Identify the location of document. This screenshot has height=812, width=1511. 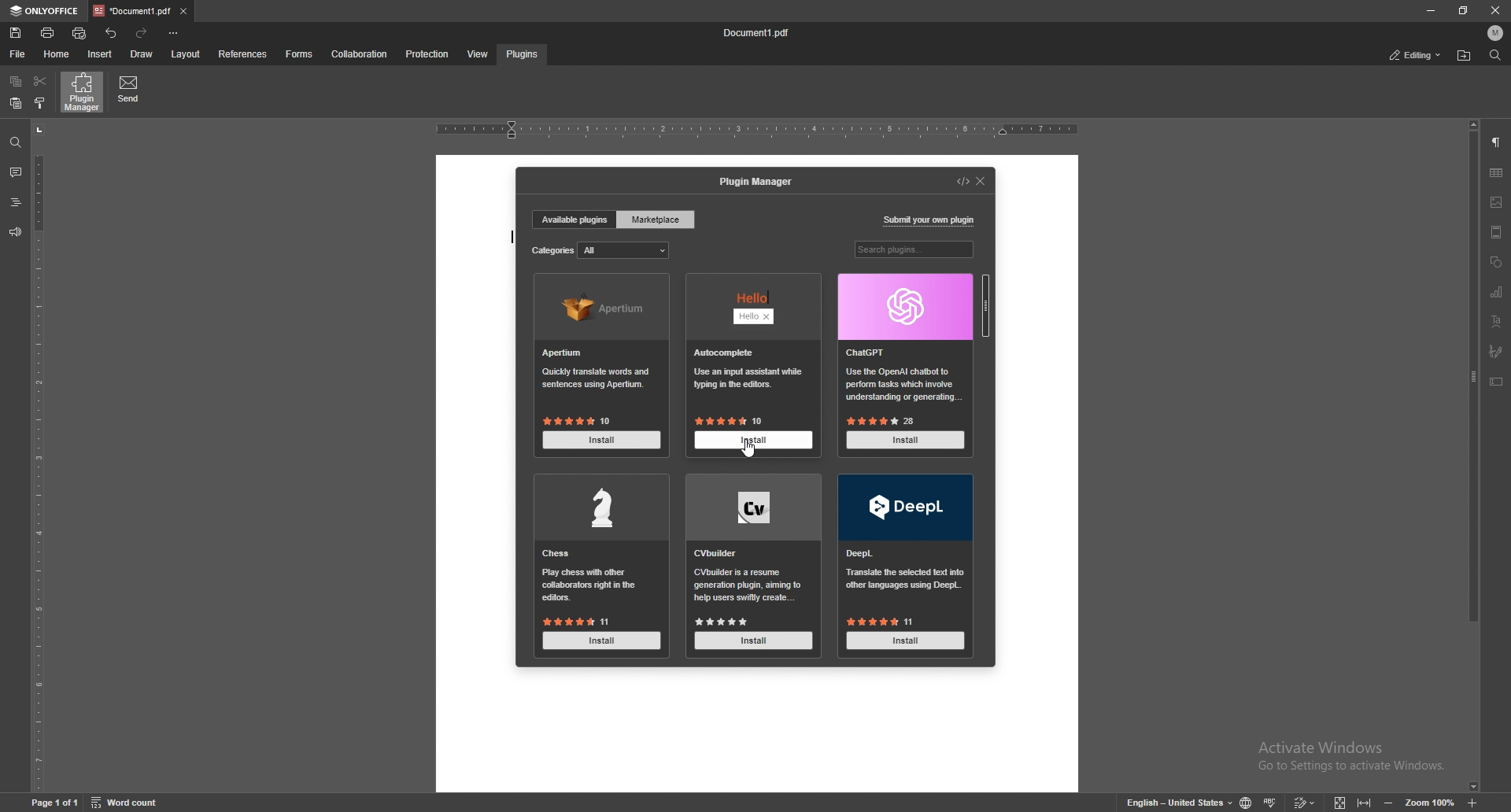
(1039, 412).